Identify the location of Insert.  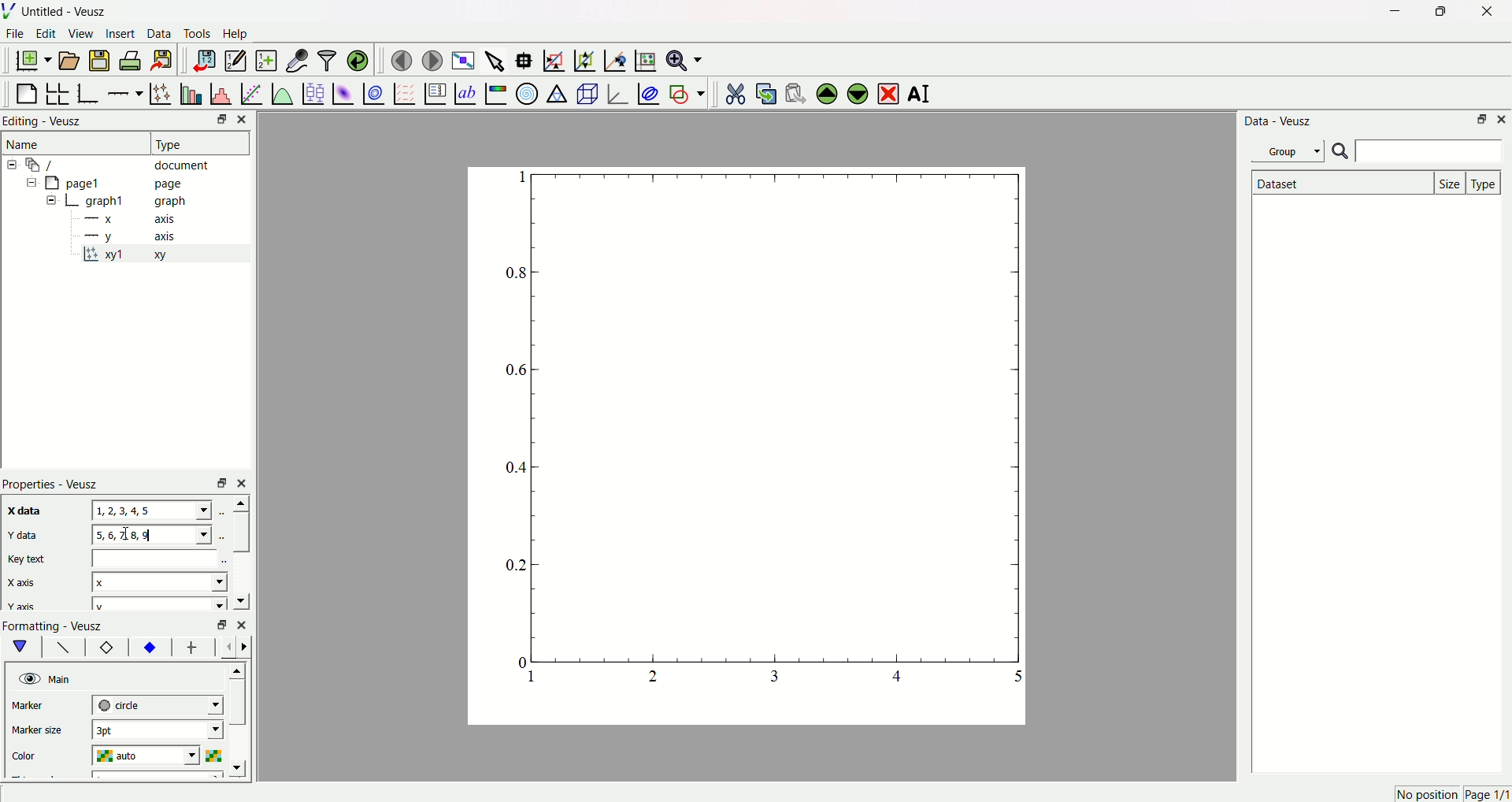
(120, 35).